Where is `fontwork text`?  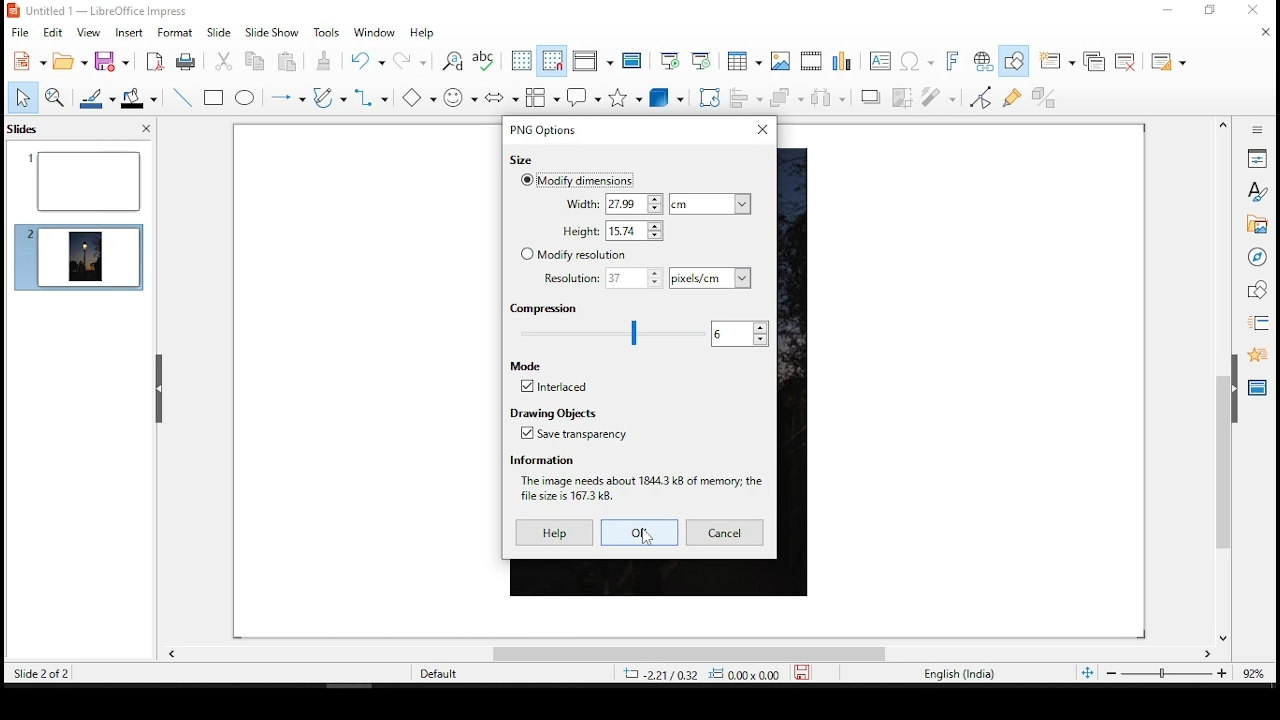 fontwork text is located at coordinates (955, 59).